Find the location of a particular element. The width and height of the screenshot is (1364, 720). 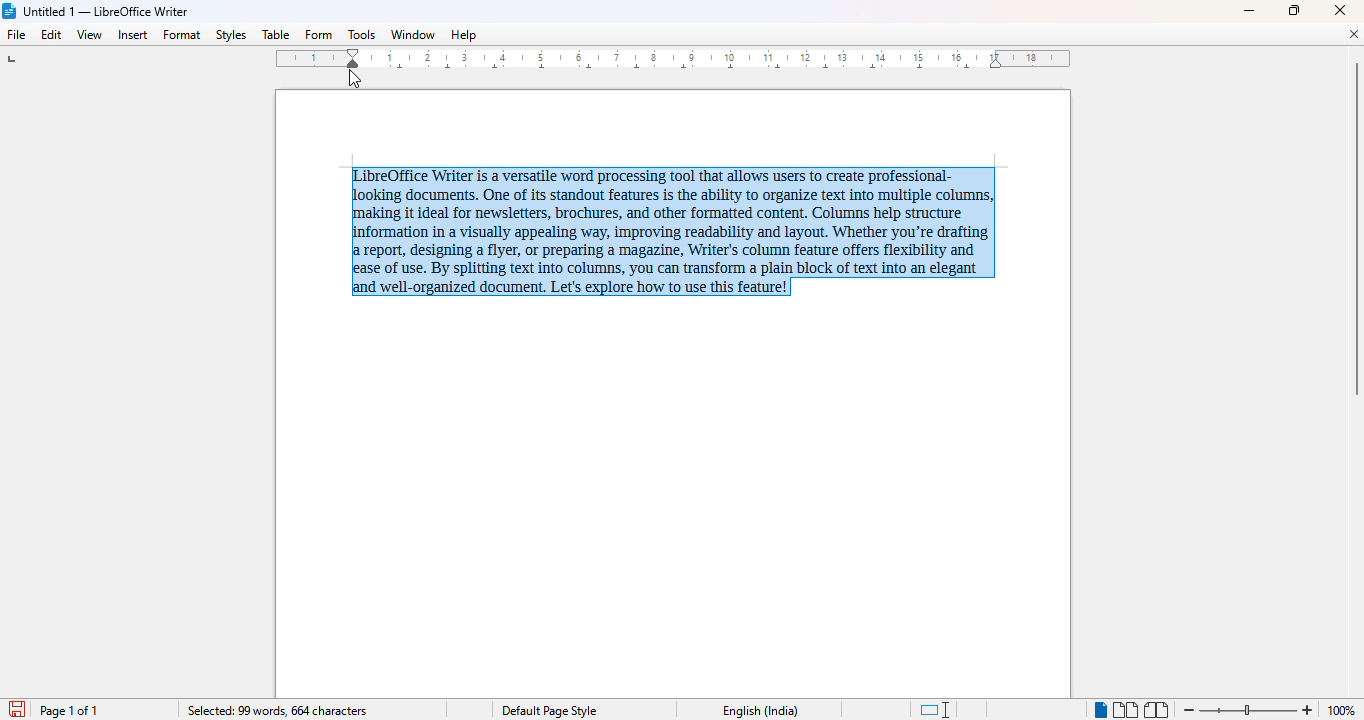

LibreOffice logo is located at coordinates (10, 11).